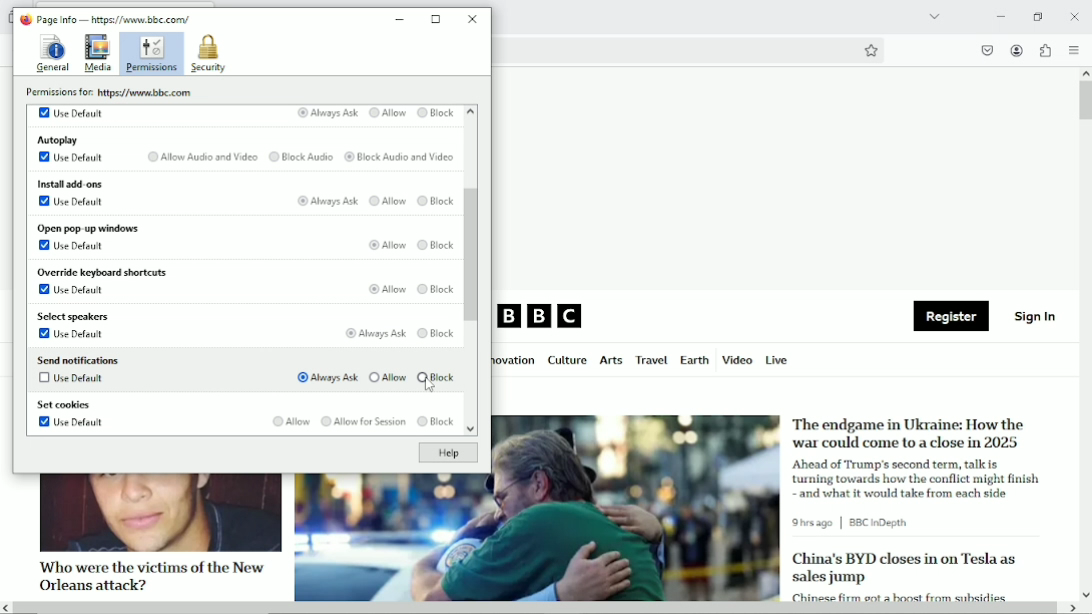 The image size is (1092, 614). What do you see at coordinates (149, 575) in the screenshot?
I see `Who were the victims of the New Orleans attack?` at bounding box center [149, 575].